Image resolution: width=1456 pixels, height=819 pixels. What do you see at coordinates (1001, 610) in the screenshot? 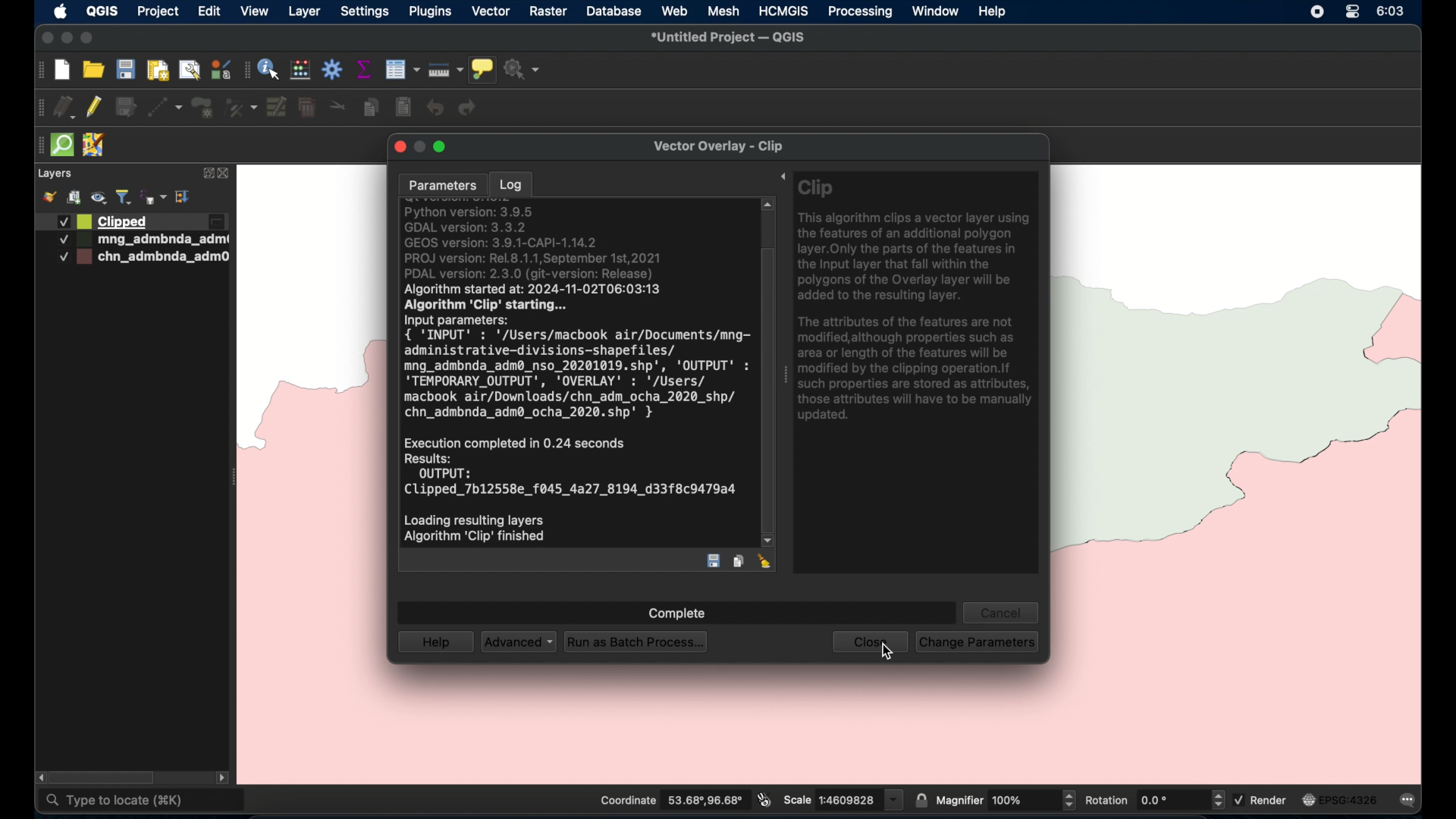
I see `cancel` at bounding box center [1001, 610].